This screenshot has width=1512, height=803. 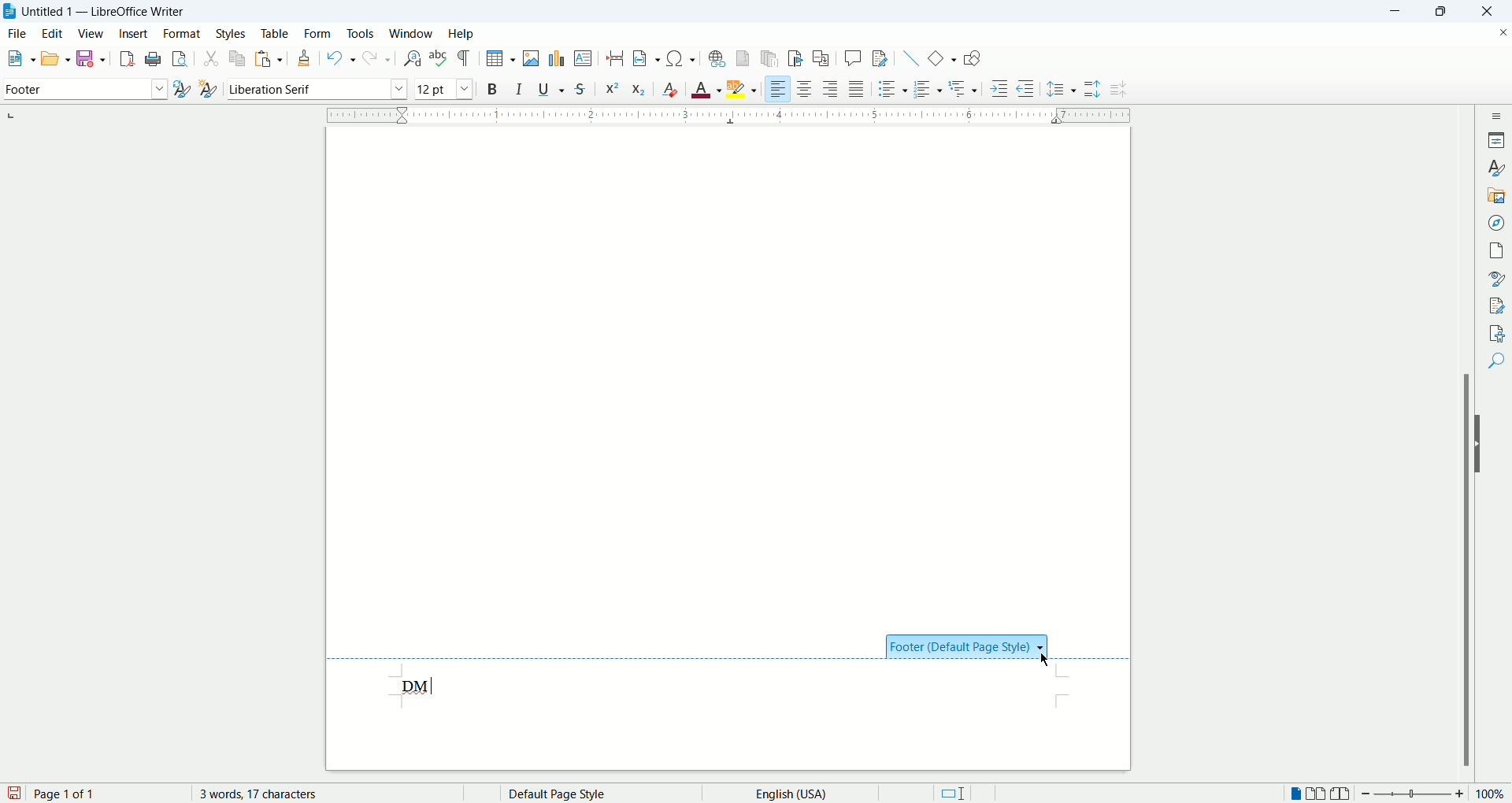 I want to click on insert page break, so click(x=617, y=58).